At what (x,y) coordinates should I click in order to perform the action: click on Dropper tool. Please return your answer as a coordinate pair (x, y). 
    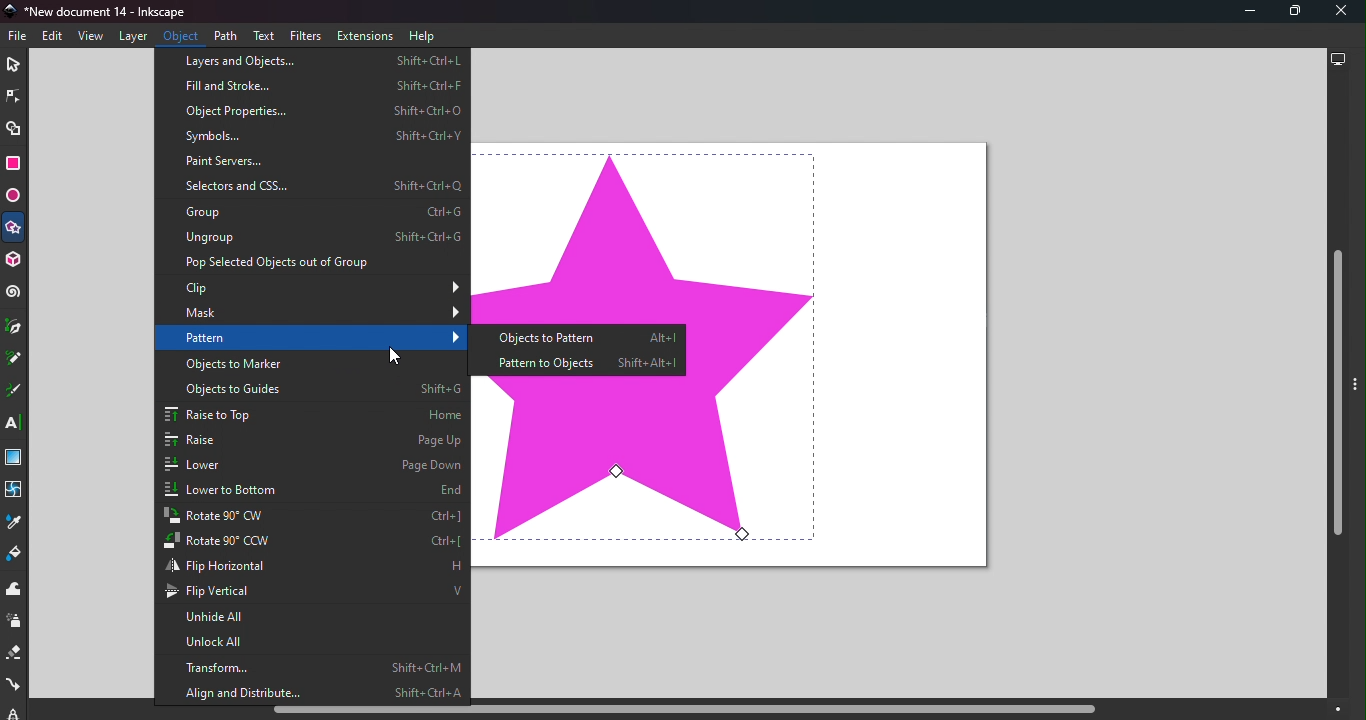
    Looking at the image, I should click on (12, 526).